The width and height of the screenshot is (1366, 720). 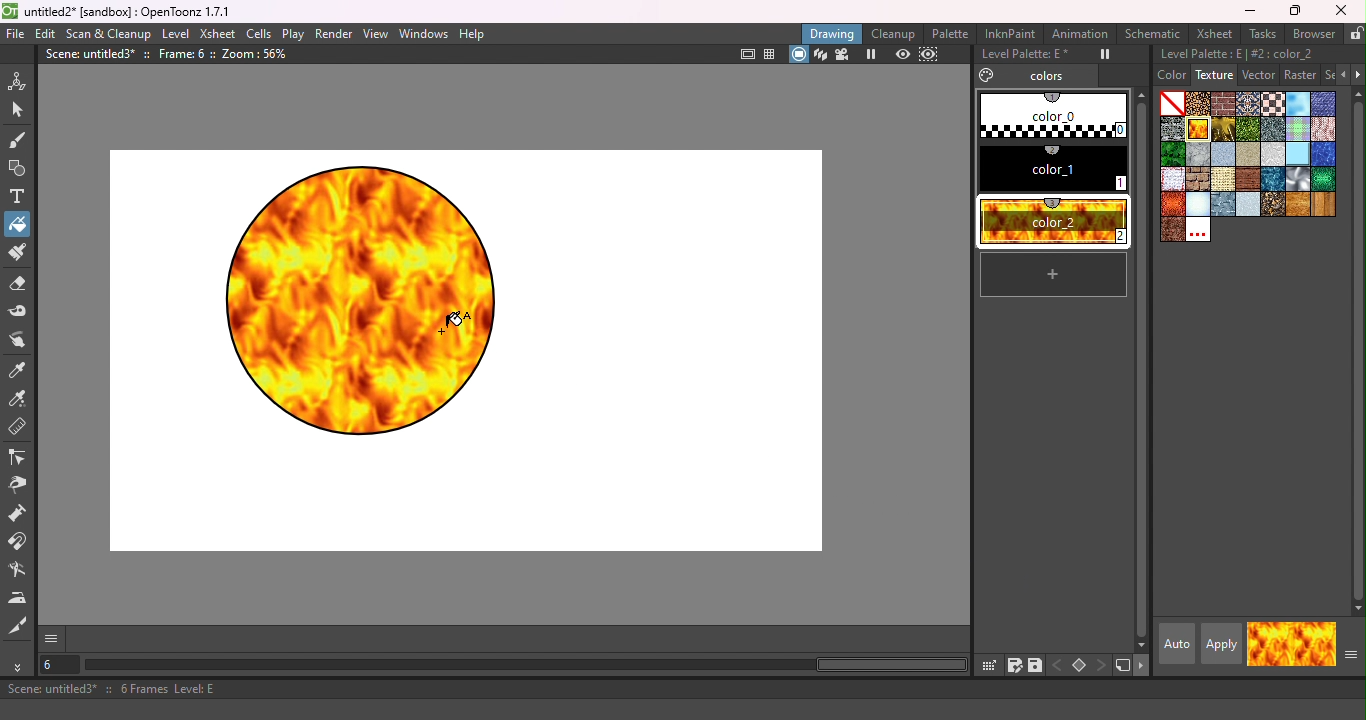 What do you see at coordinates (1099, 55) in the screenshot?
I see `Freeze` at bounding box center [1099, 55].